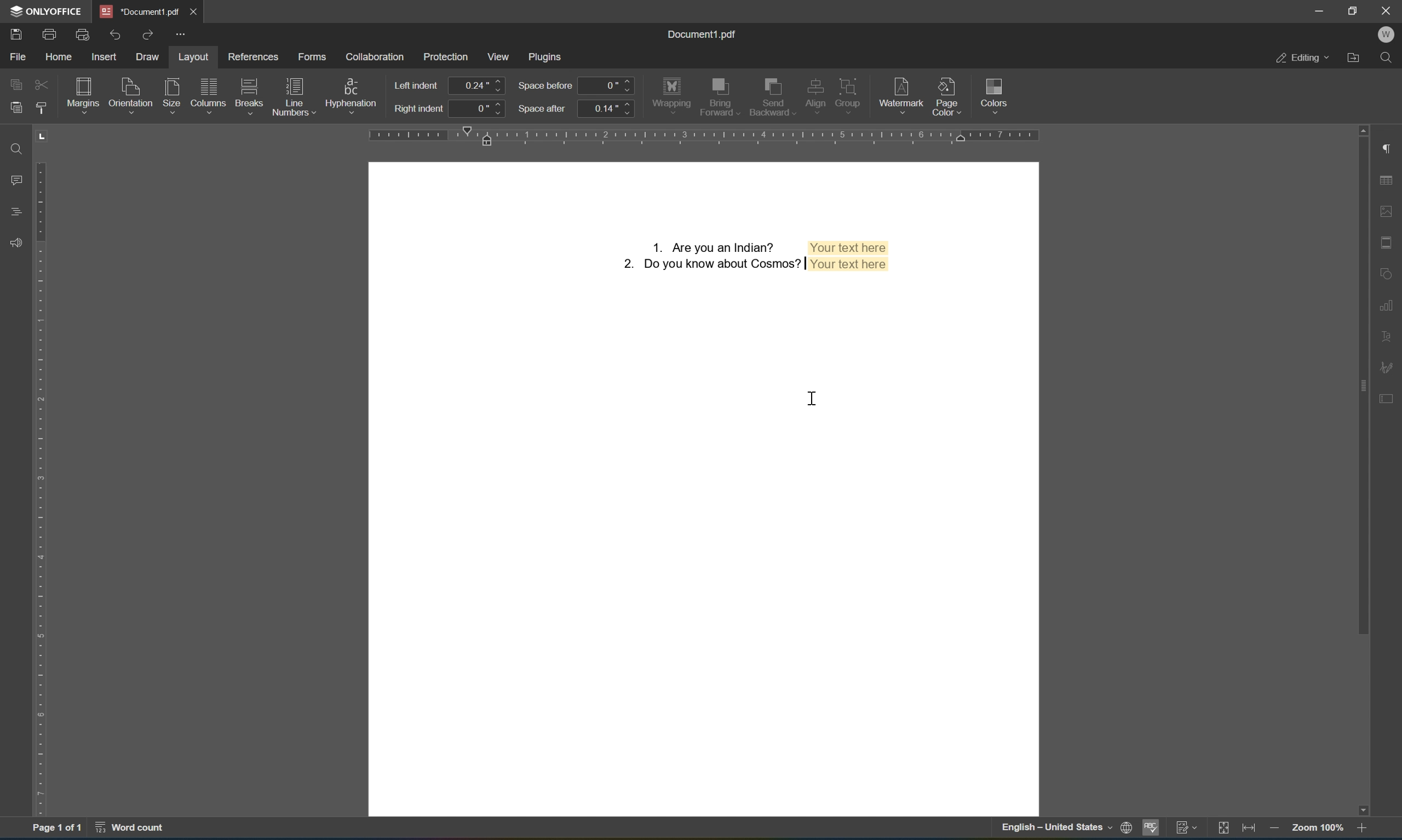 This screenshot has height=840, width=1402. Describe the element at coordinates (18, 180) in the screenshot. I see `comments` at that location.